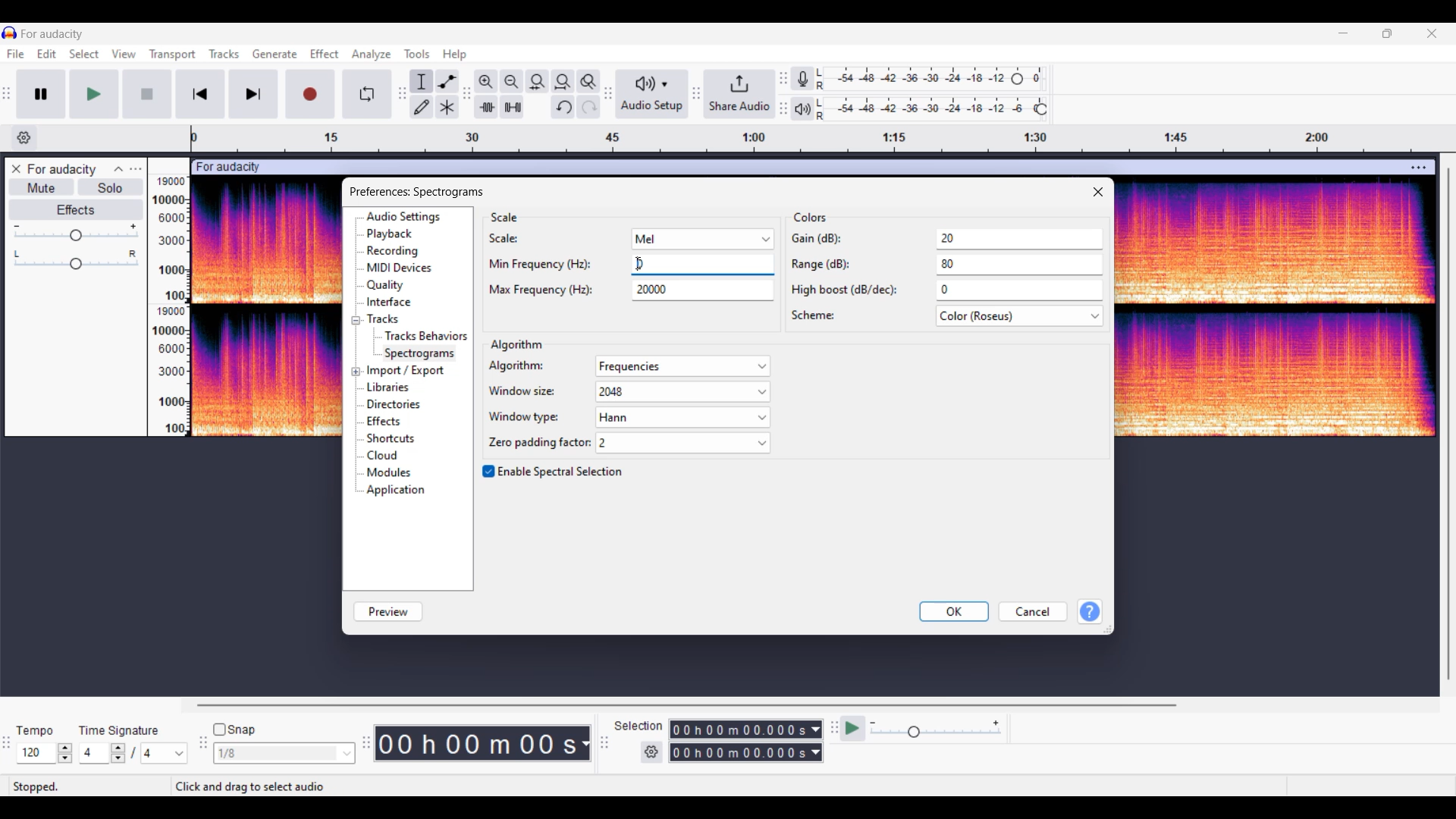  Describe the element at coordinates (486, 107) in the screenshot. I see `Trim audio outside selection` at that location.